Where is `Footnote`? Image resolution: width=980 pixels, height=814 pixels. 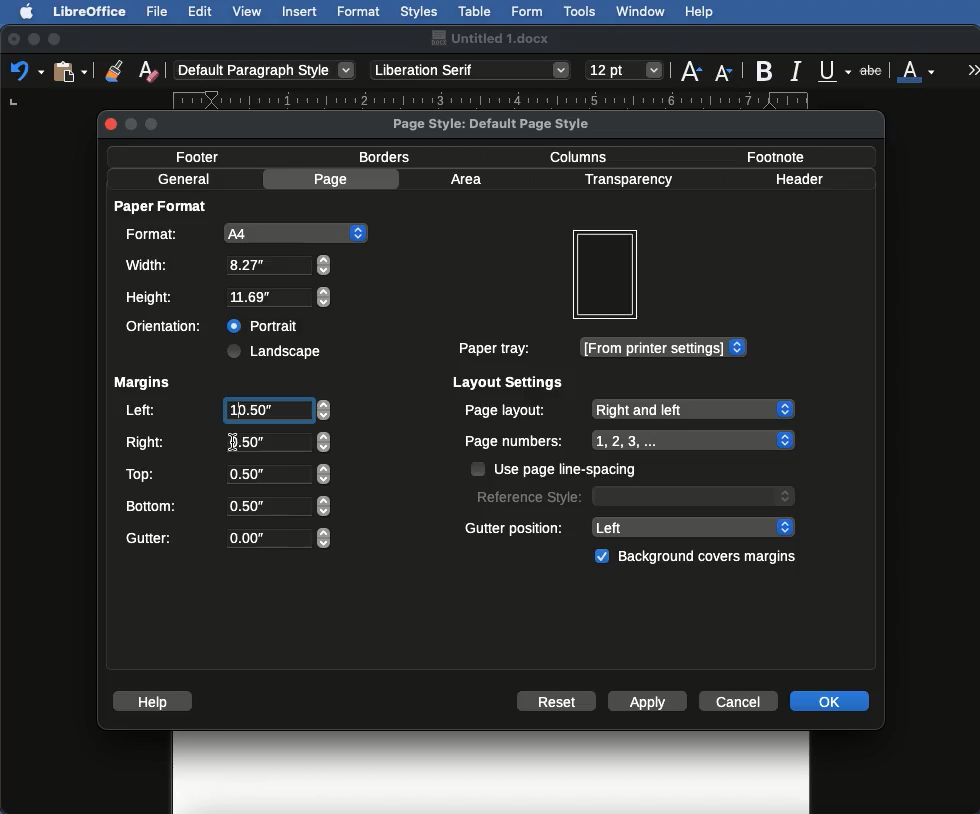 Footnote is located at coordinates (774, 156).